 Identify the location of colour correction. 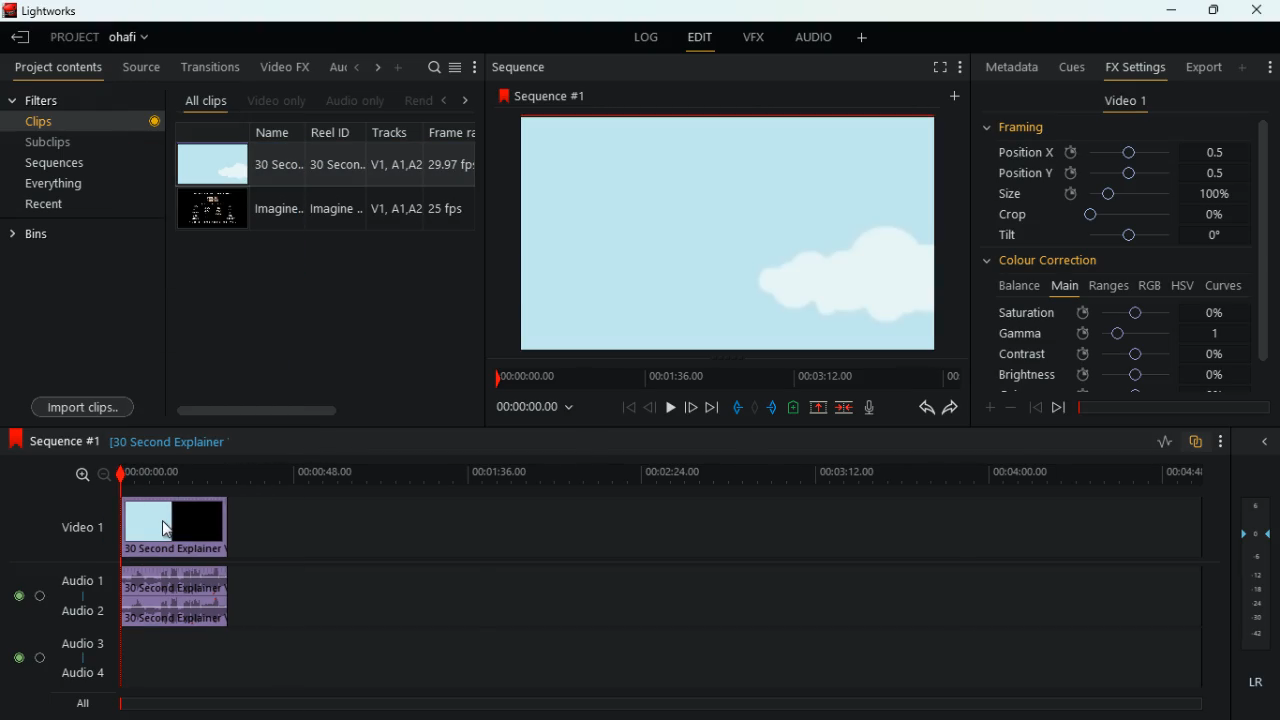
(1045, 263).